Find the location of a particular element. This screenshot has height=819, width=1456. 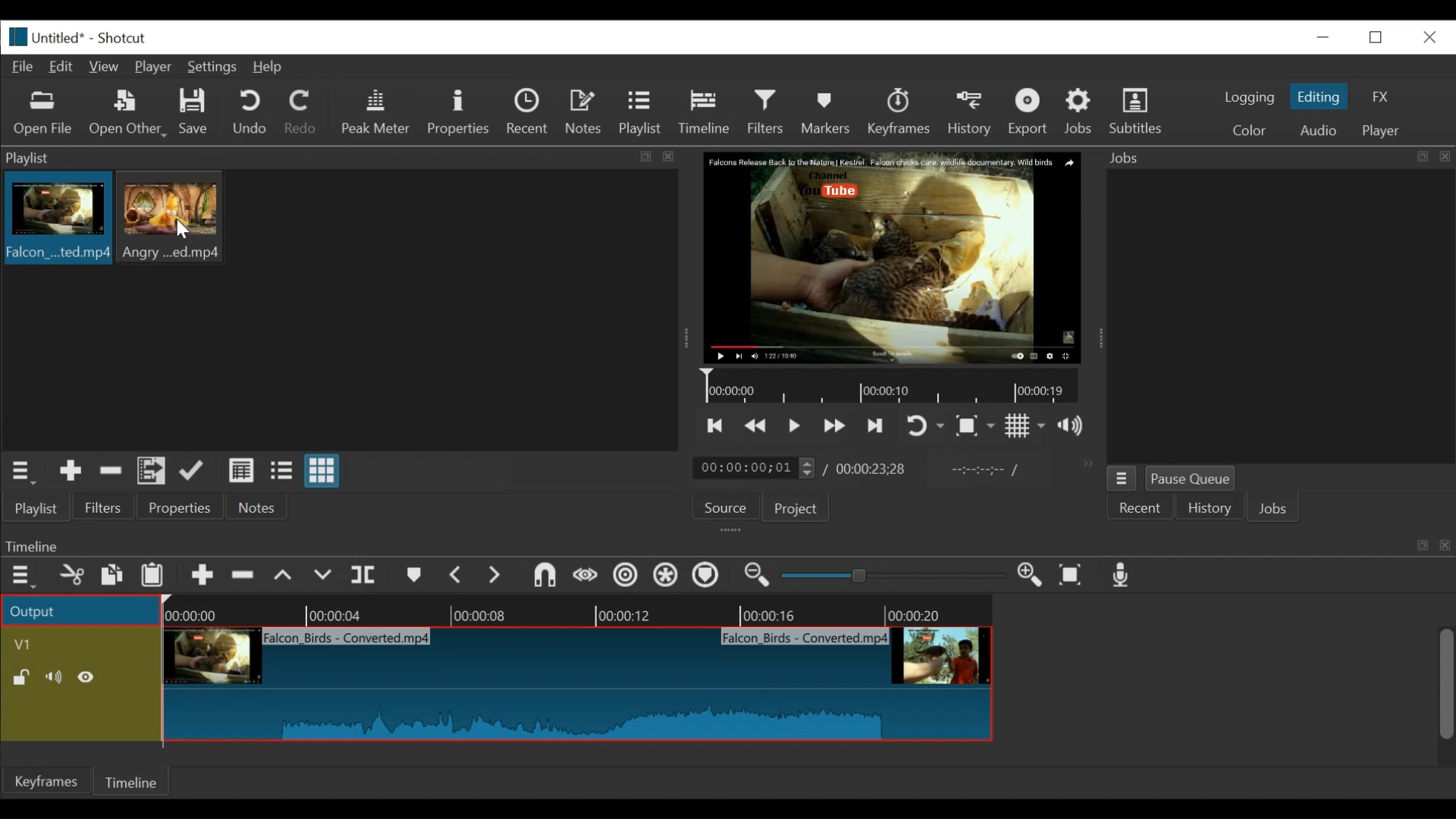

view as icons is located at coordinates (320, 472).